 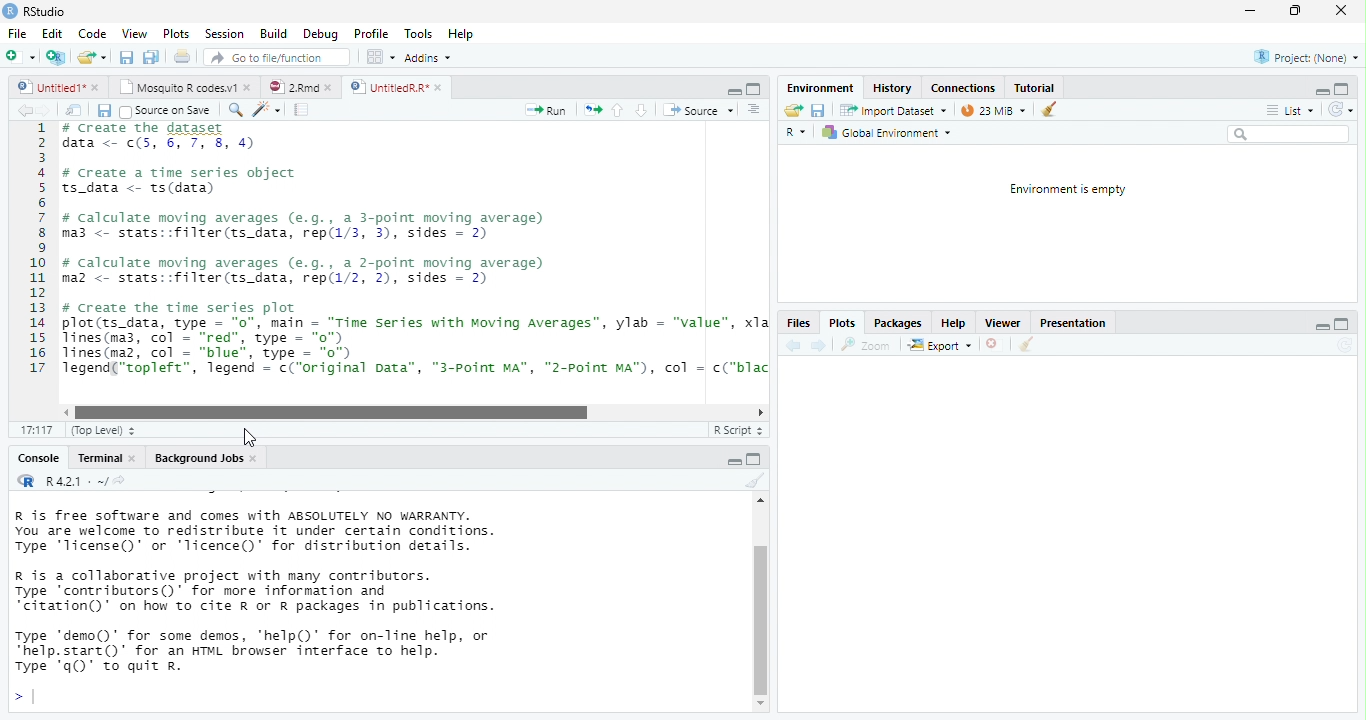 What do you see at coordinates (1049, 108) in the screenshot?
I see `clear` at bounding box center [1049, 108].